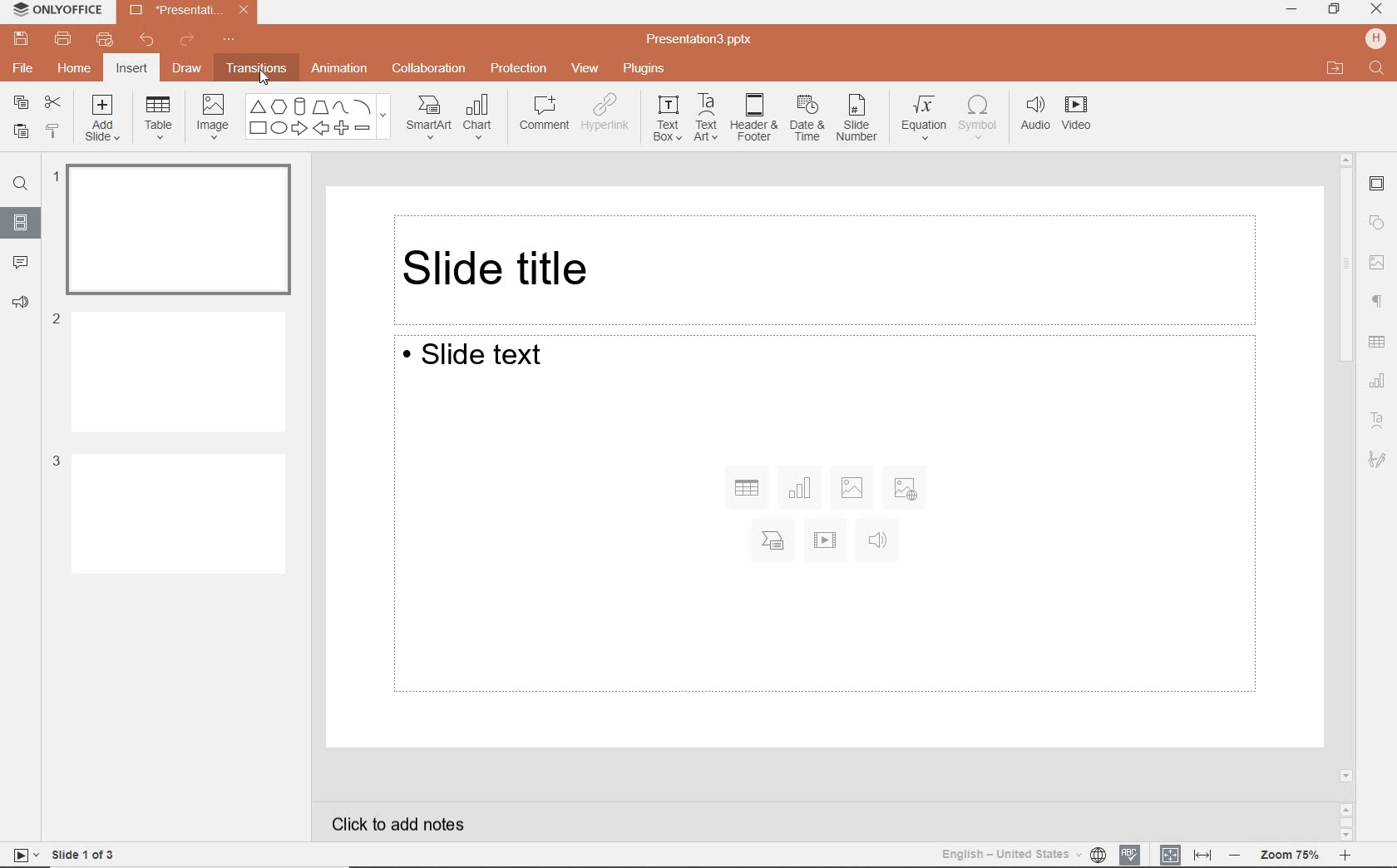  Describe the element at coordinates (1345, 496) in the screenshot. I see `scrollbar` at that location.